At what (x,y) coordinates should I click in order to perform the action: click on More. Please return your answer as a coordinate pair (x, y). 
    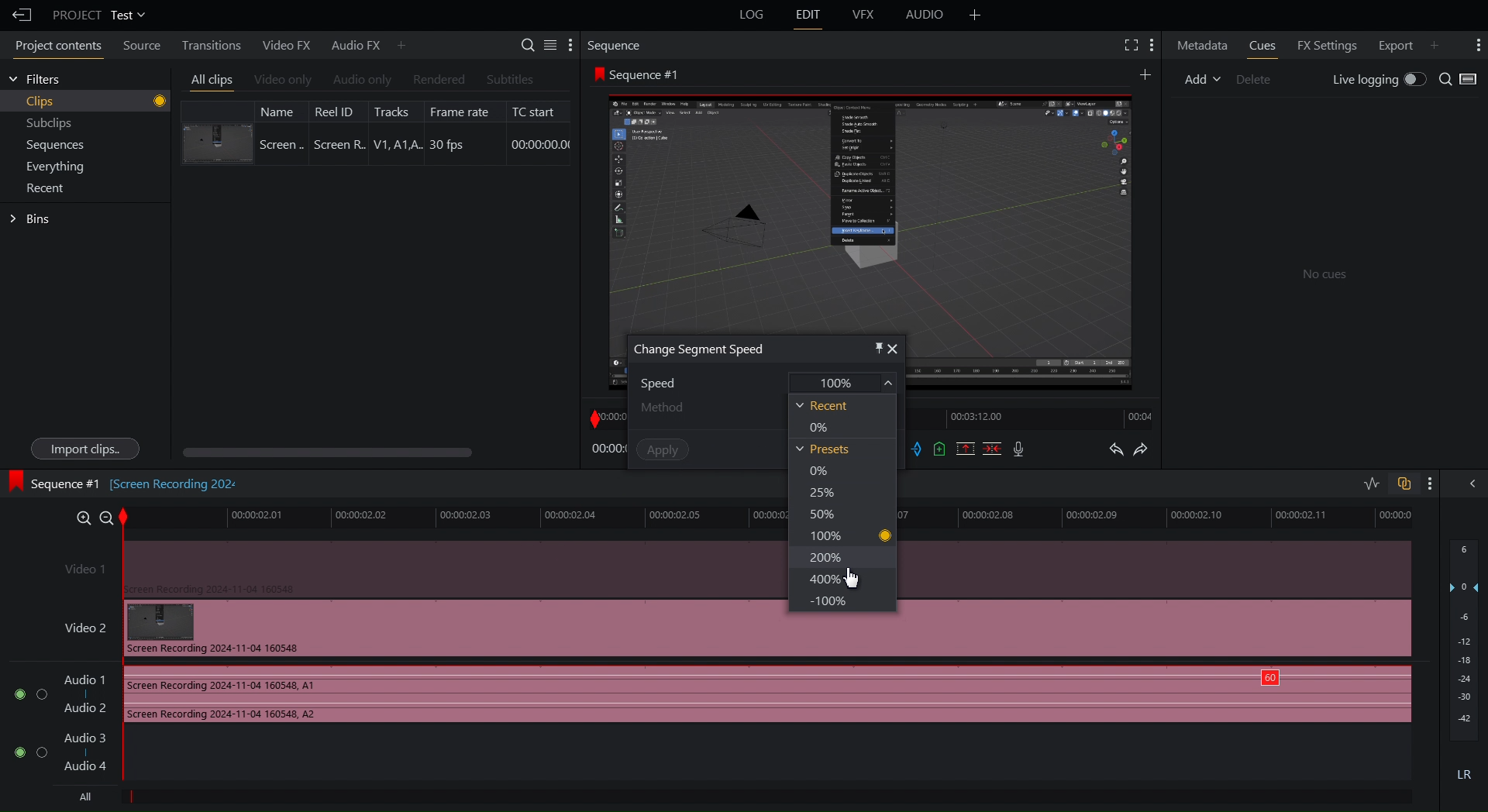
    Looking at the image, I should click on (1441, 43).